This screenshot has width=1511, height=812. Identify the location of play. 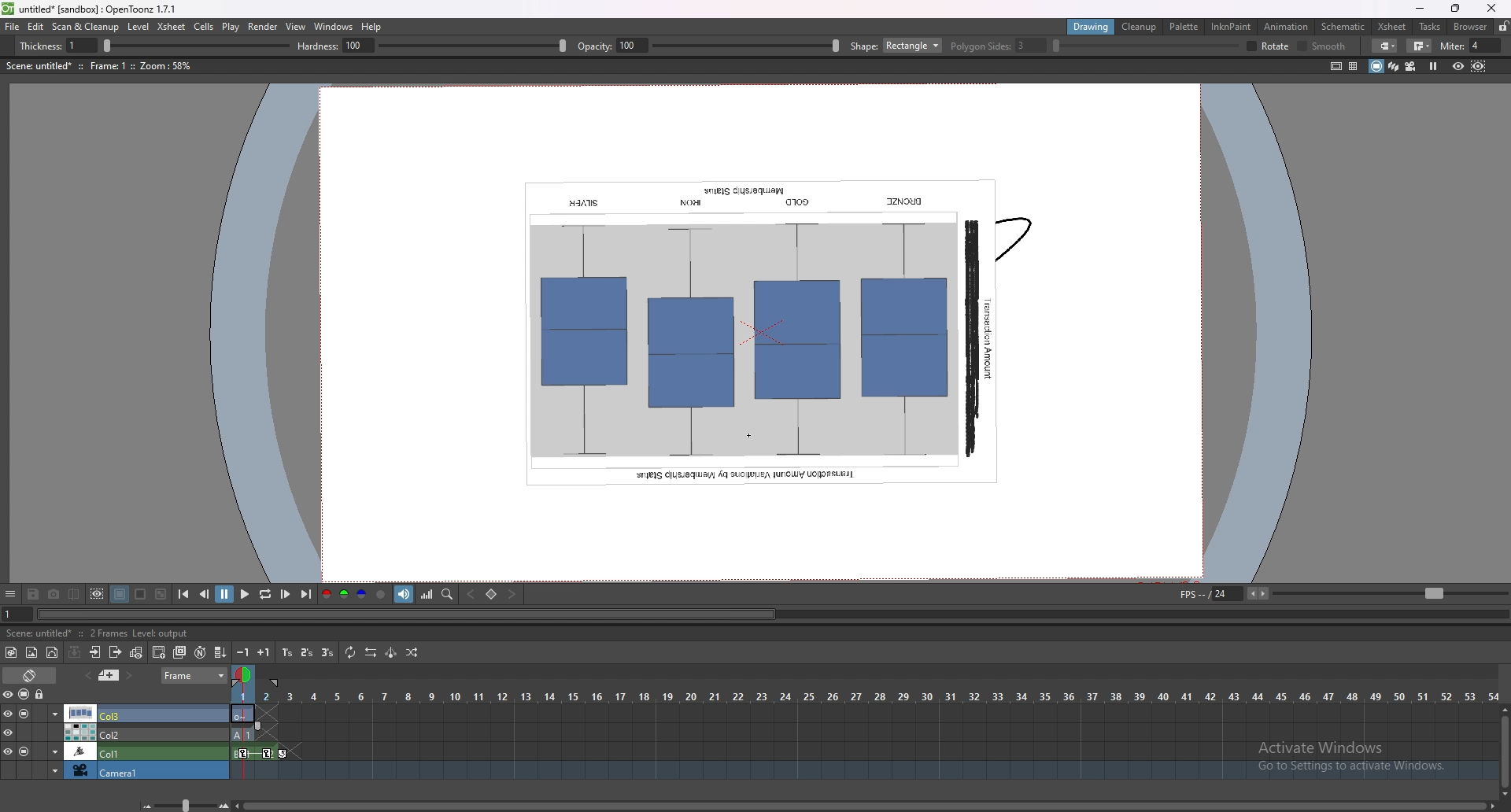
(246, 593).